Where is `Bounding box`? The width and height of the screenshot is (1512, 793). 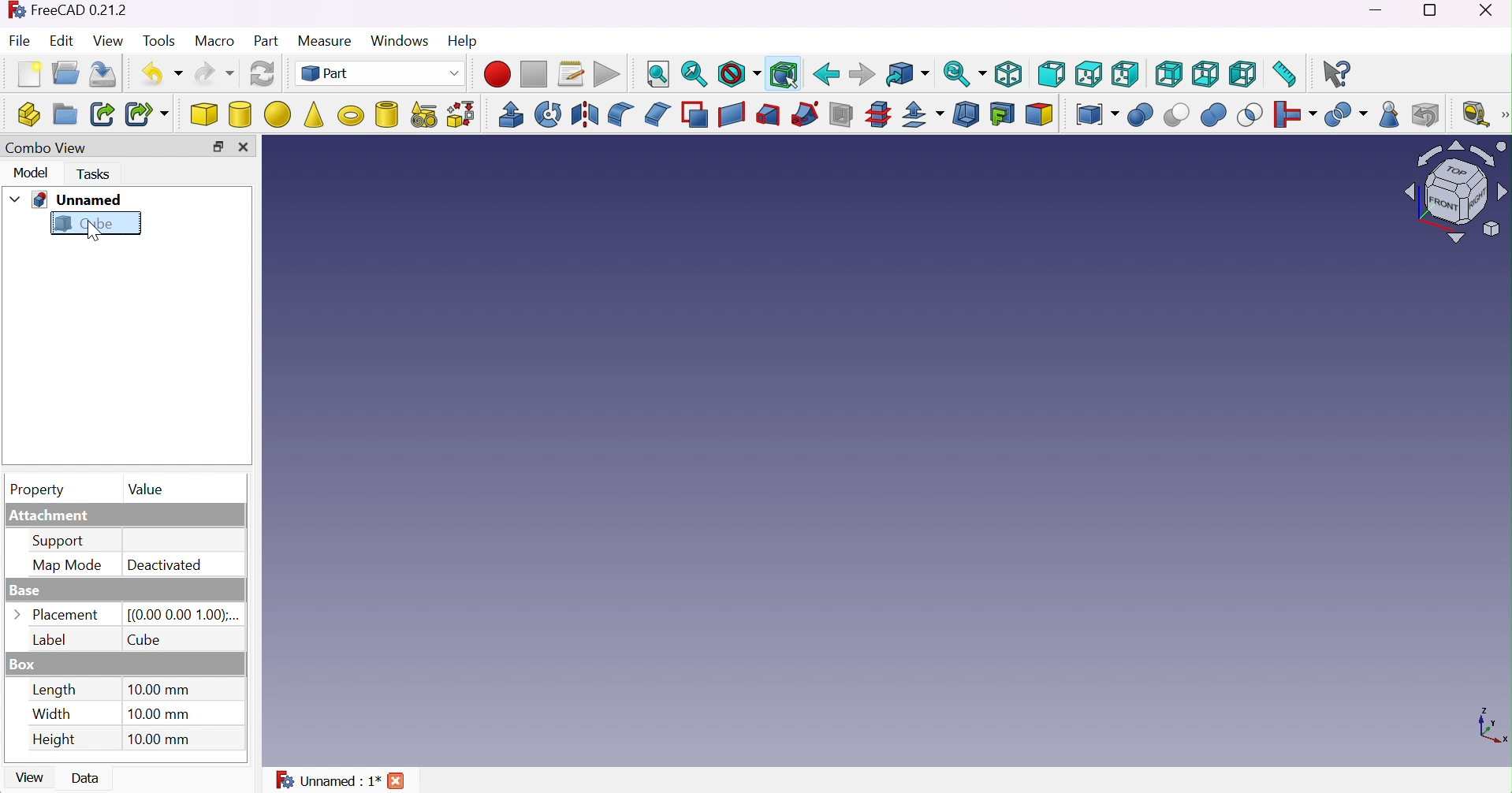
Bounding box is located at coordinates (783, 76).